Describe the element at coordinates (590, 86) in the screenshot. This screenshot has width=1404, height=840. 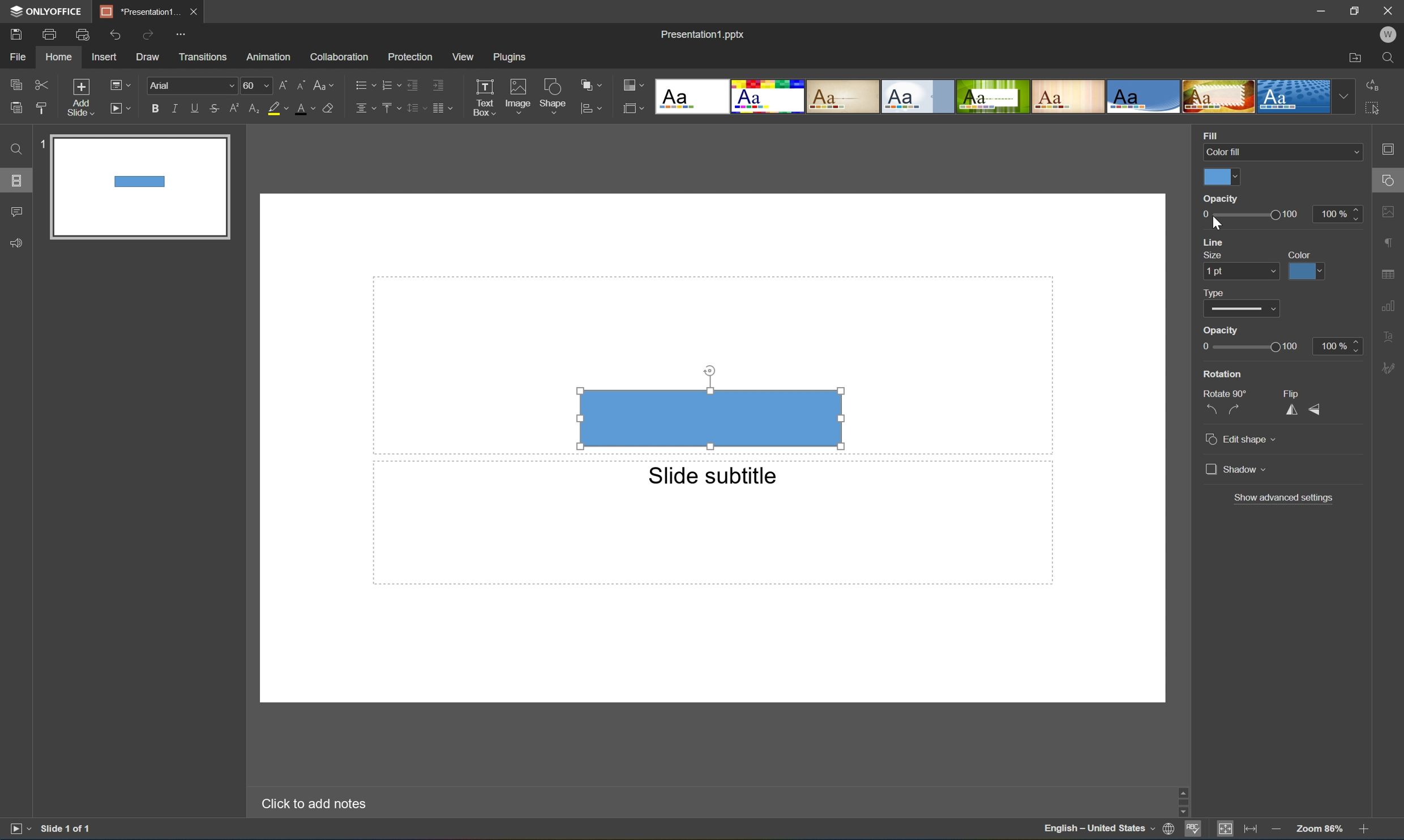
I see `Arrange shape` at that location.